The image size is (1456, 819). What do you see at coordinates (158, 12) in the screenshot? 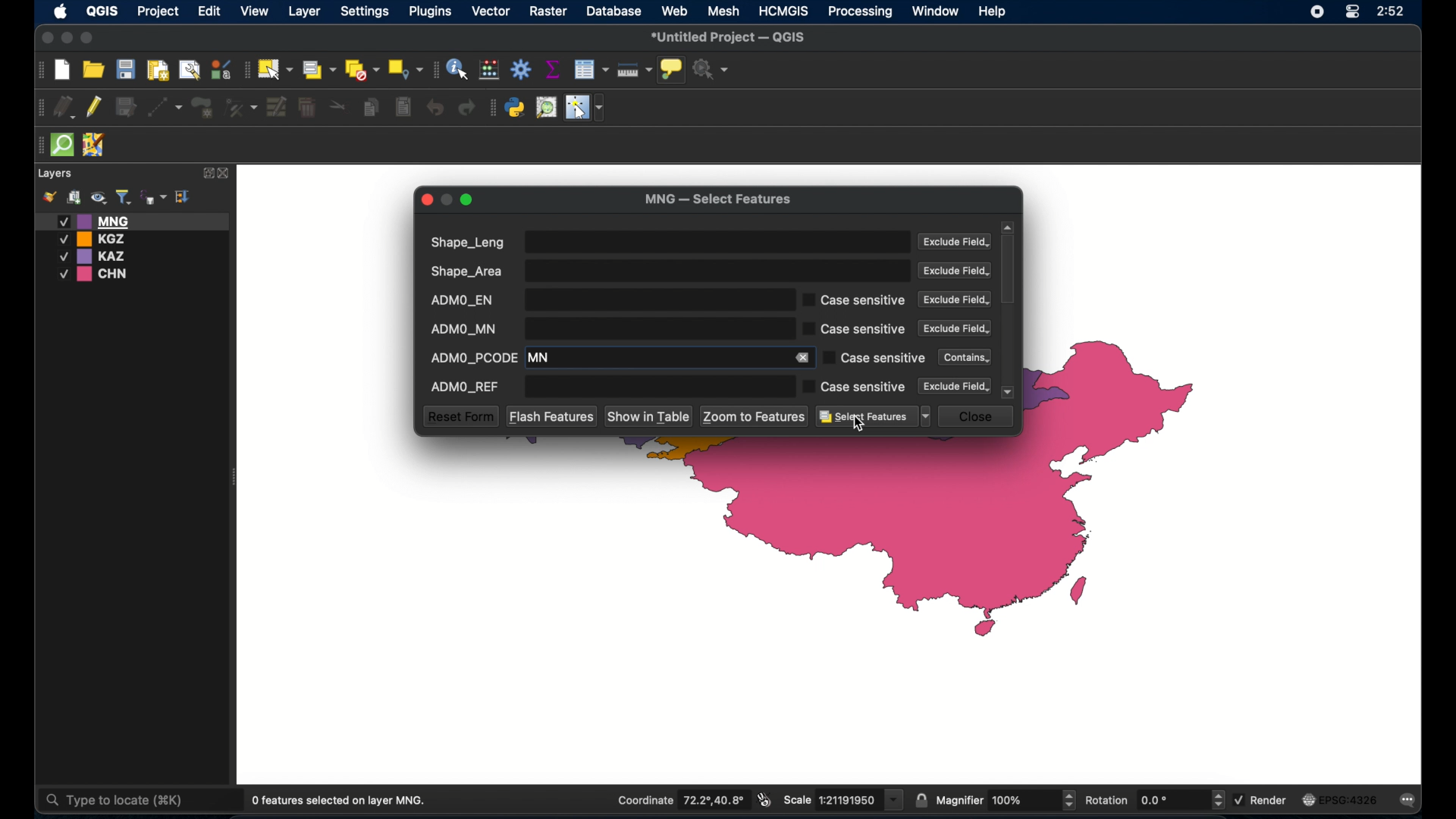
I see `project` at bounding box center [158, 12].